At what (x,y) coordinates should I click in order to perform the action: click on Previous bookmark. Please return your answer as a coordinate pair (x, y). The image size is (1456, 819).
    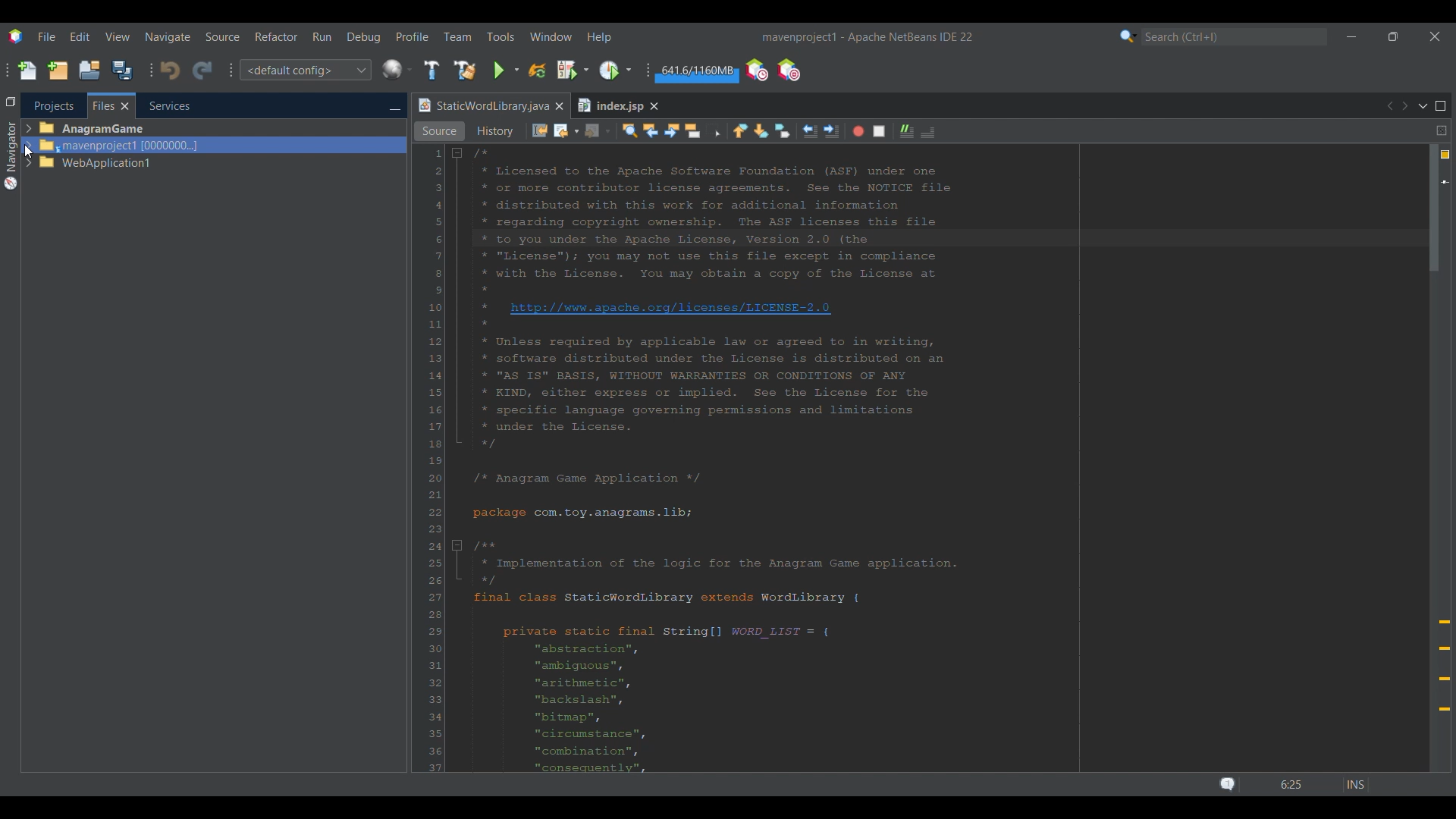
    Looking at the image, I should click on (740, 131).